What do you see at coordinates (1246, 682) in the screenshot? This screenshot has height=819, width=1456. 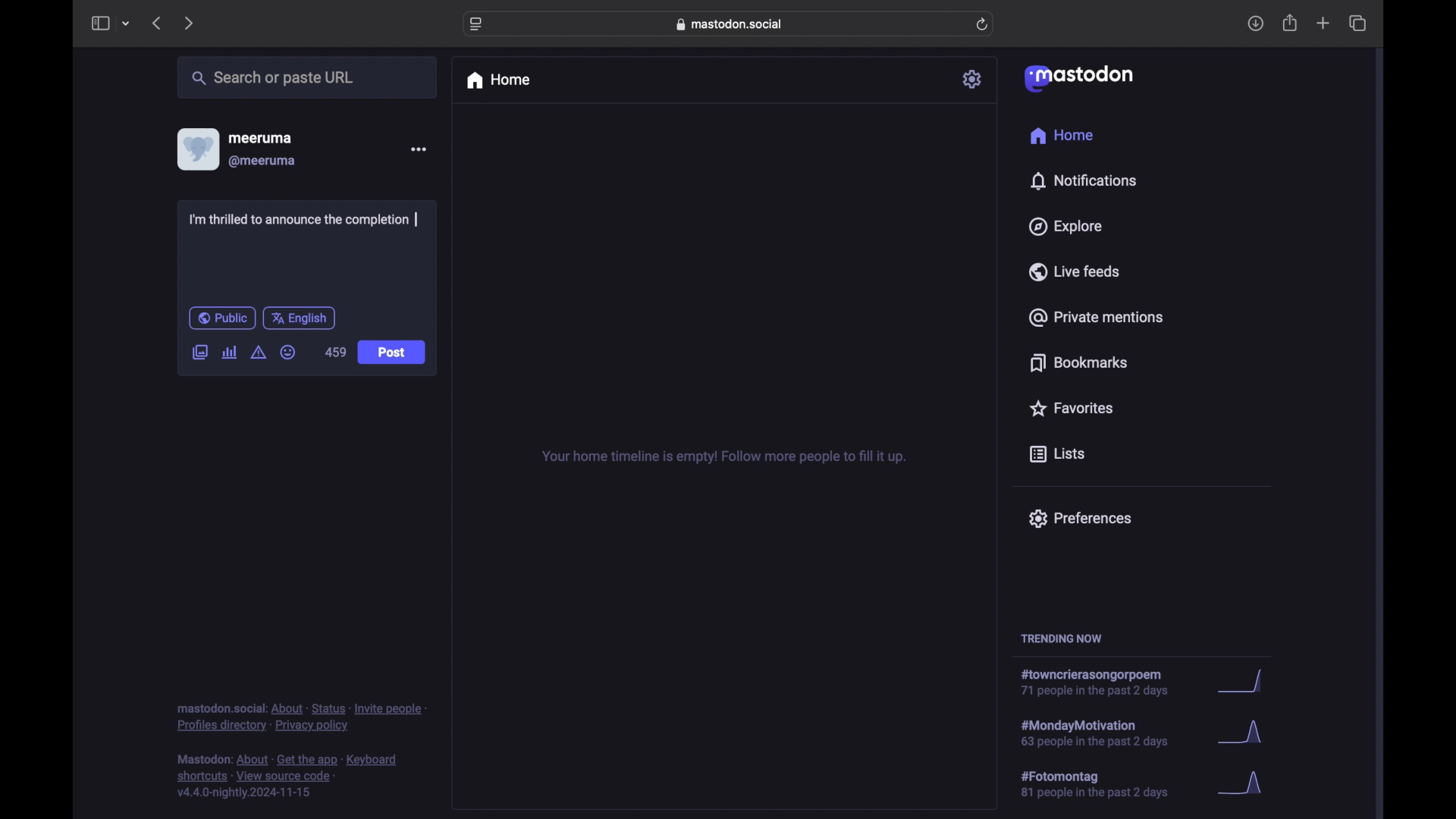 I see `graph` at bounding box center [1246, 682].